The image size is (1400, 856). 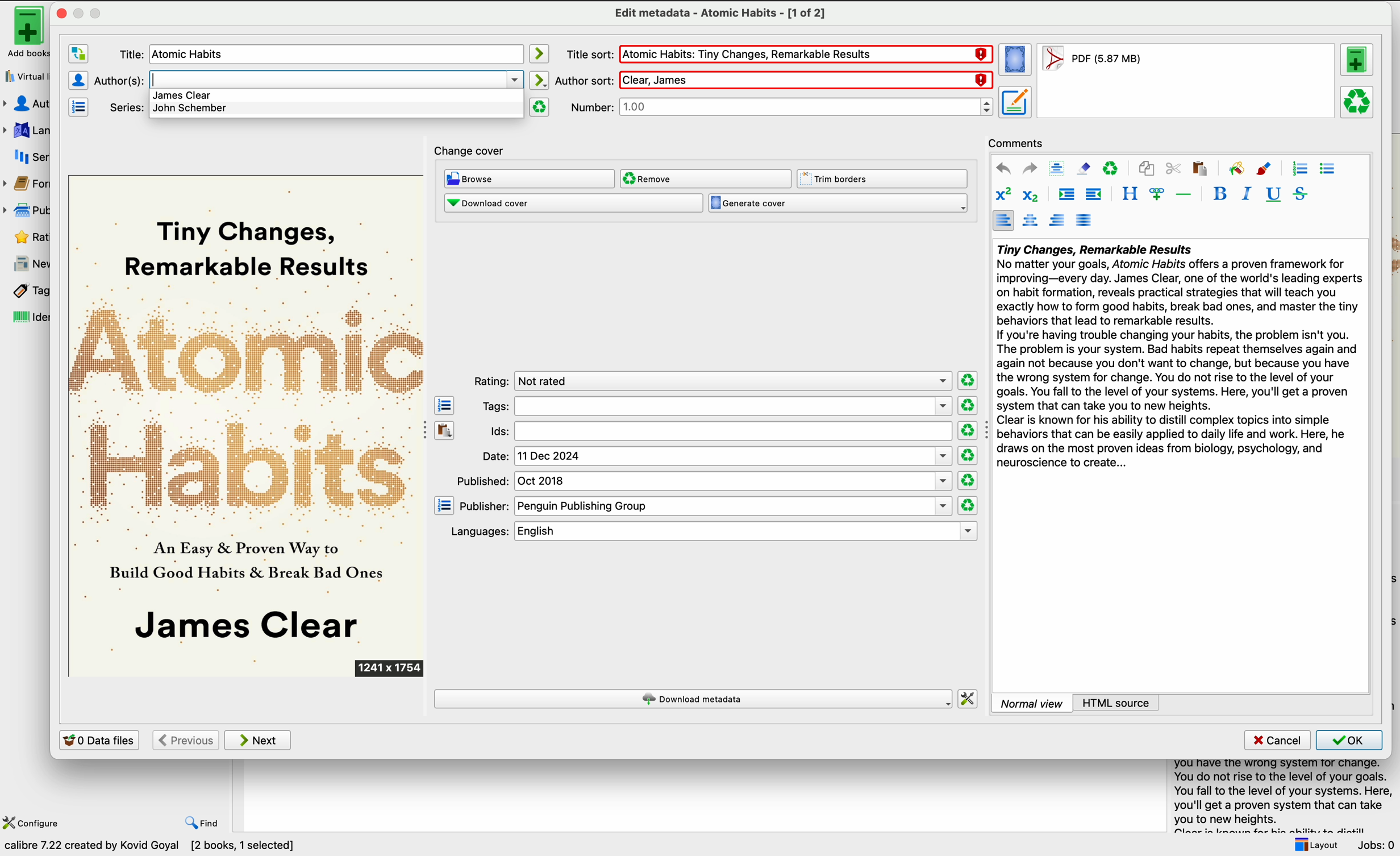 I want to click on title, so click(x=128, y=107).